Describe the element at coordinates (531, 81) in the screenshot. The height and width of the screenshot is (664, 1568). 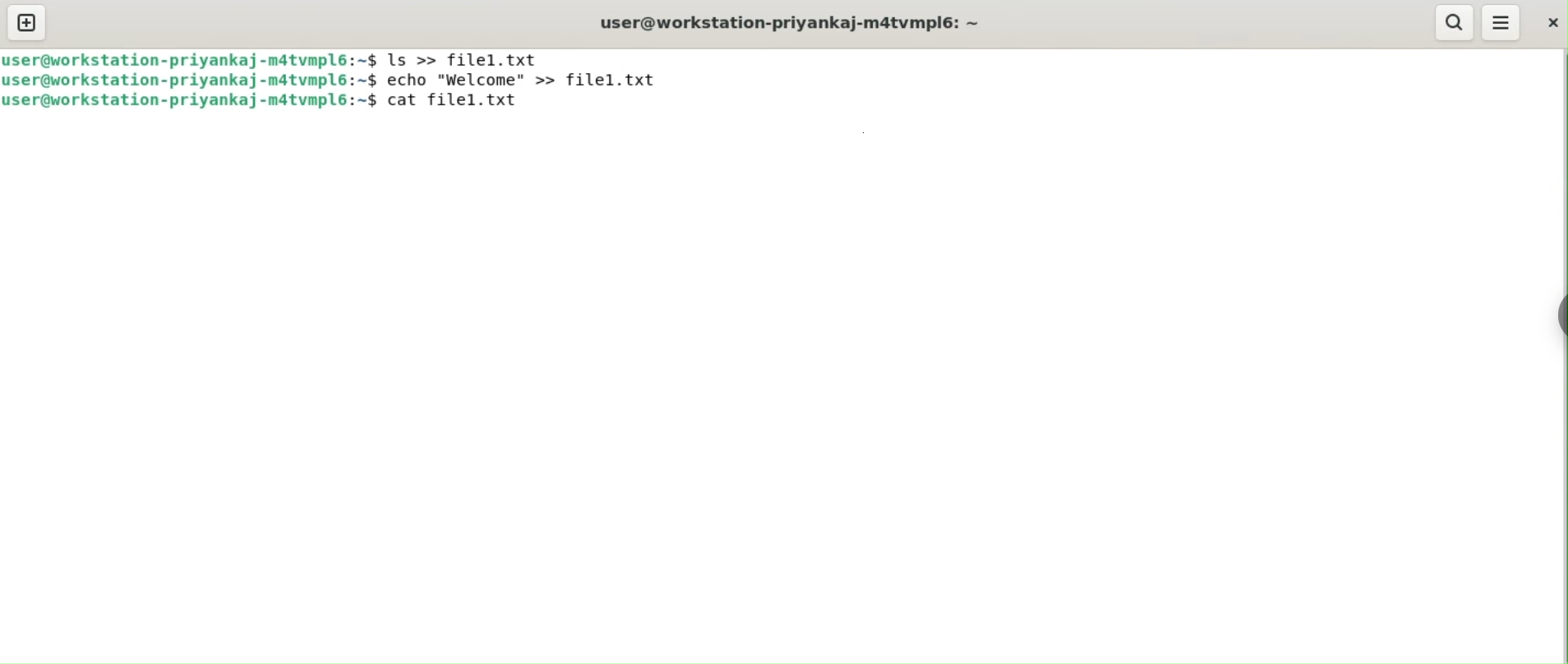
I see `echo  "Welcome"  >> file1.txt` at that location.